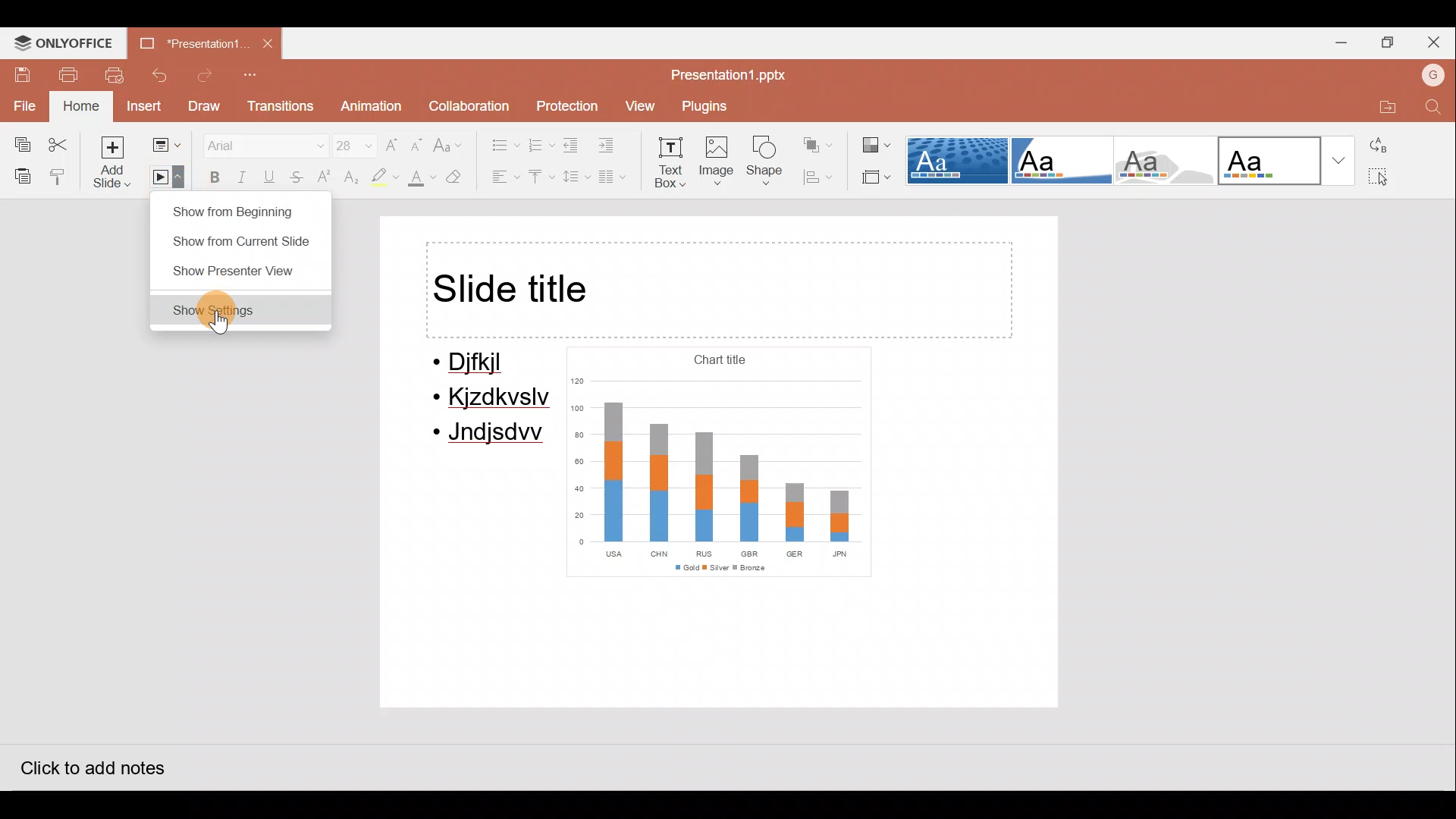 This screenshot has width=1456, height=819. I want to click on Kjzdkvslv, so click(494, 400).